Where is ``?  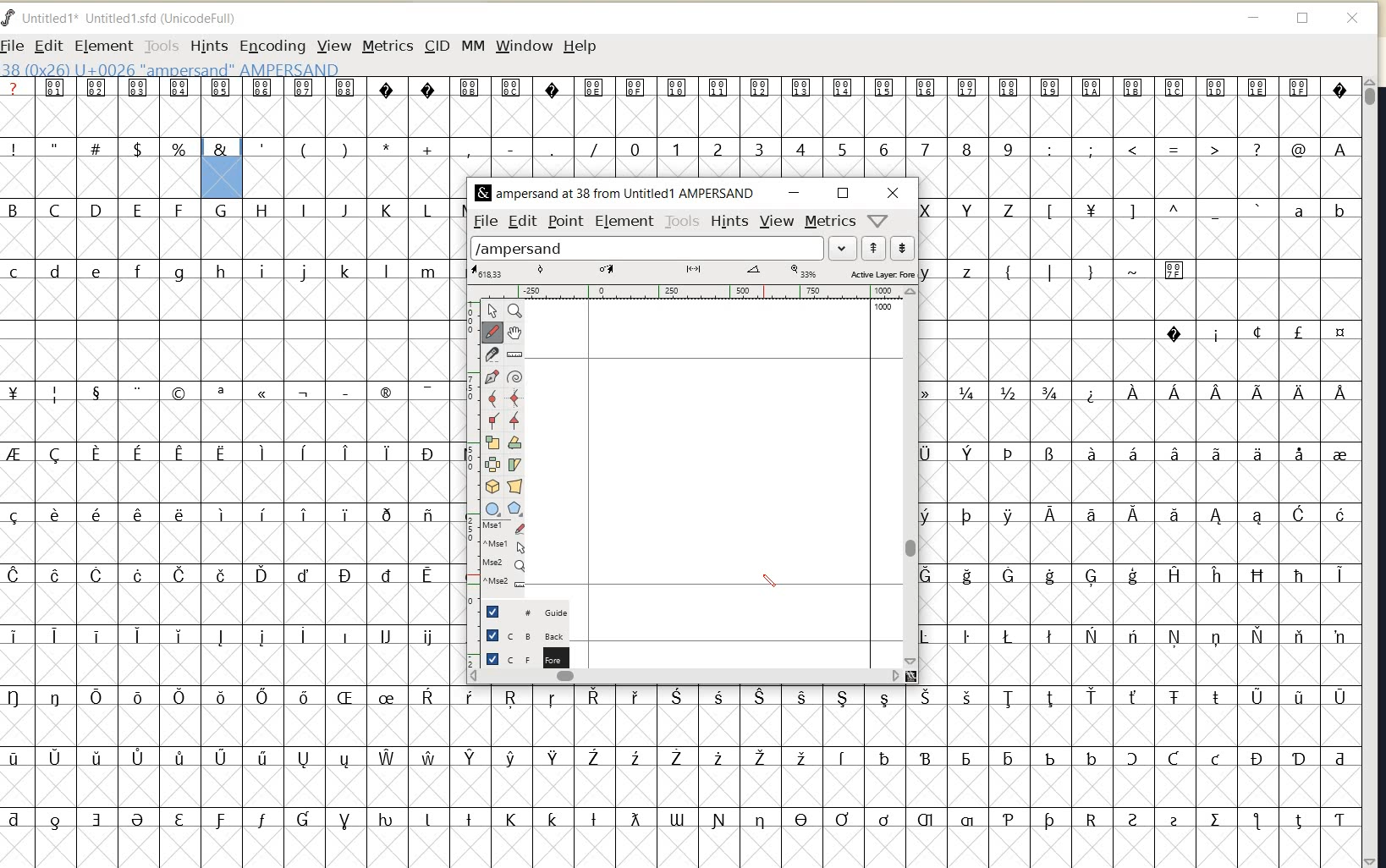
 is located at coordinates (493, 509).